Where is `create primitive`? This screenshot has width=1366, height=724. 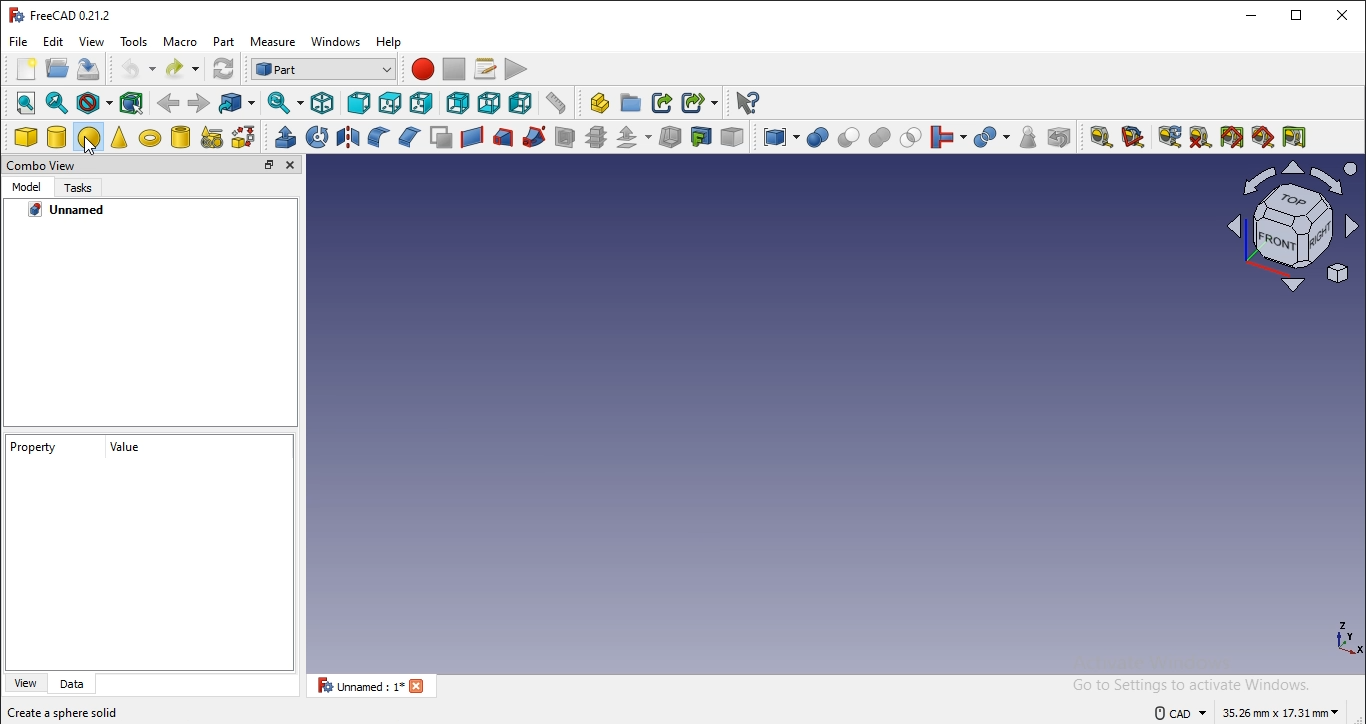
create primitive is located at coordinates (211, 137).